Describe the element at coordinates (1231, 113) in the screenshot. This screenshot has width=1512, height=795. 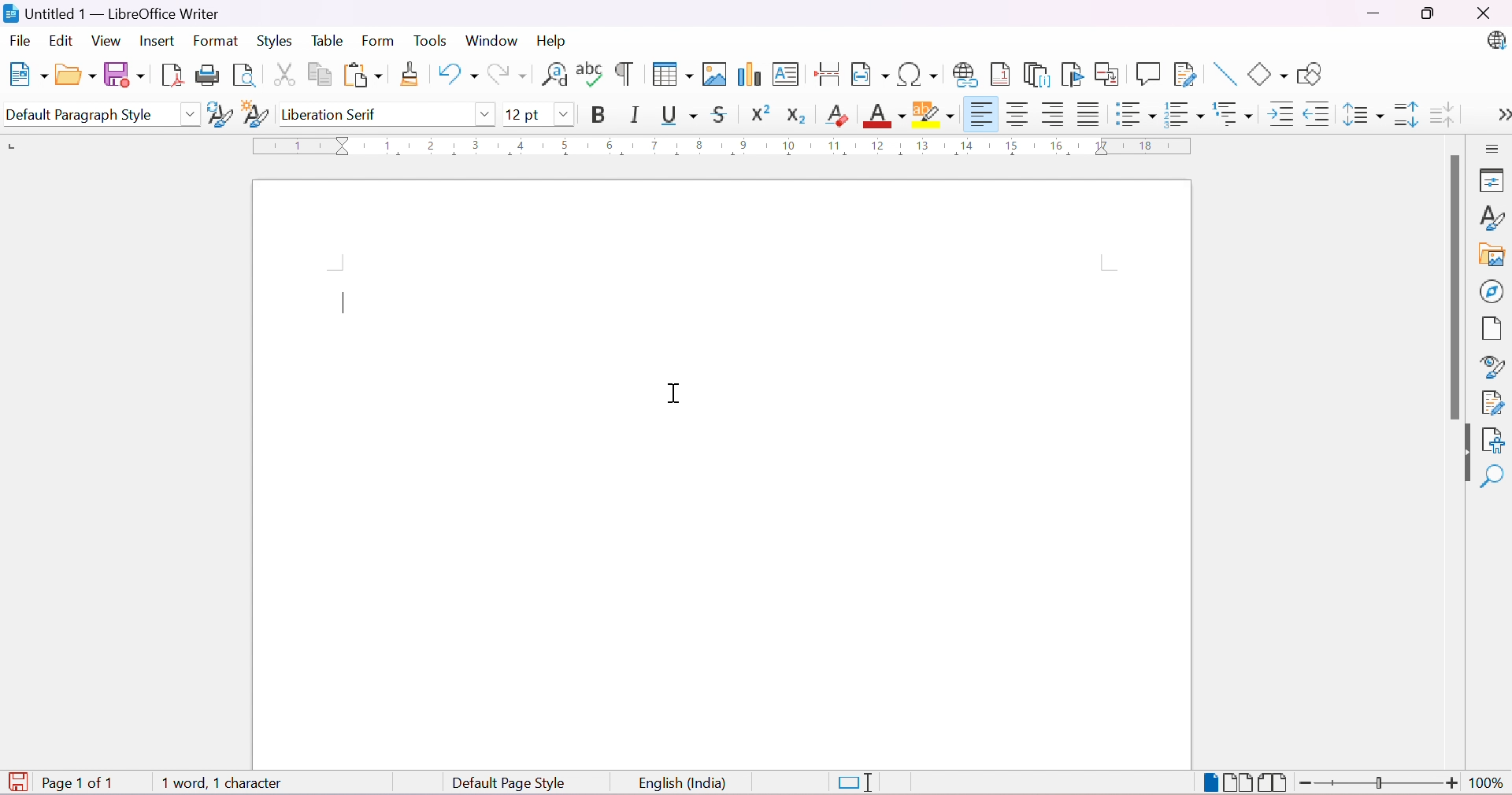
I see `Select Outline Format` at that location.